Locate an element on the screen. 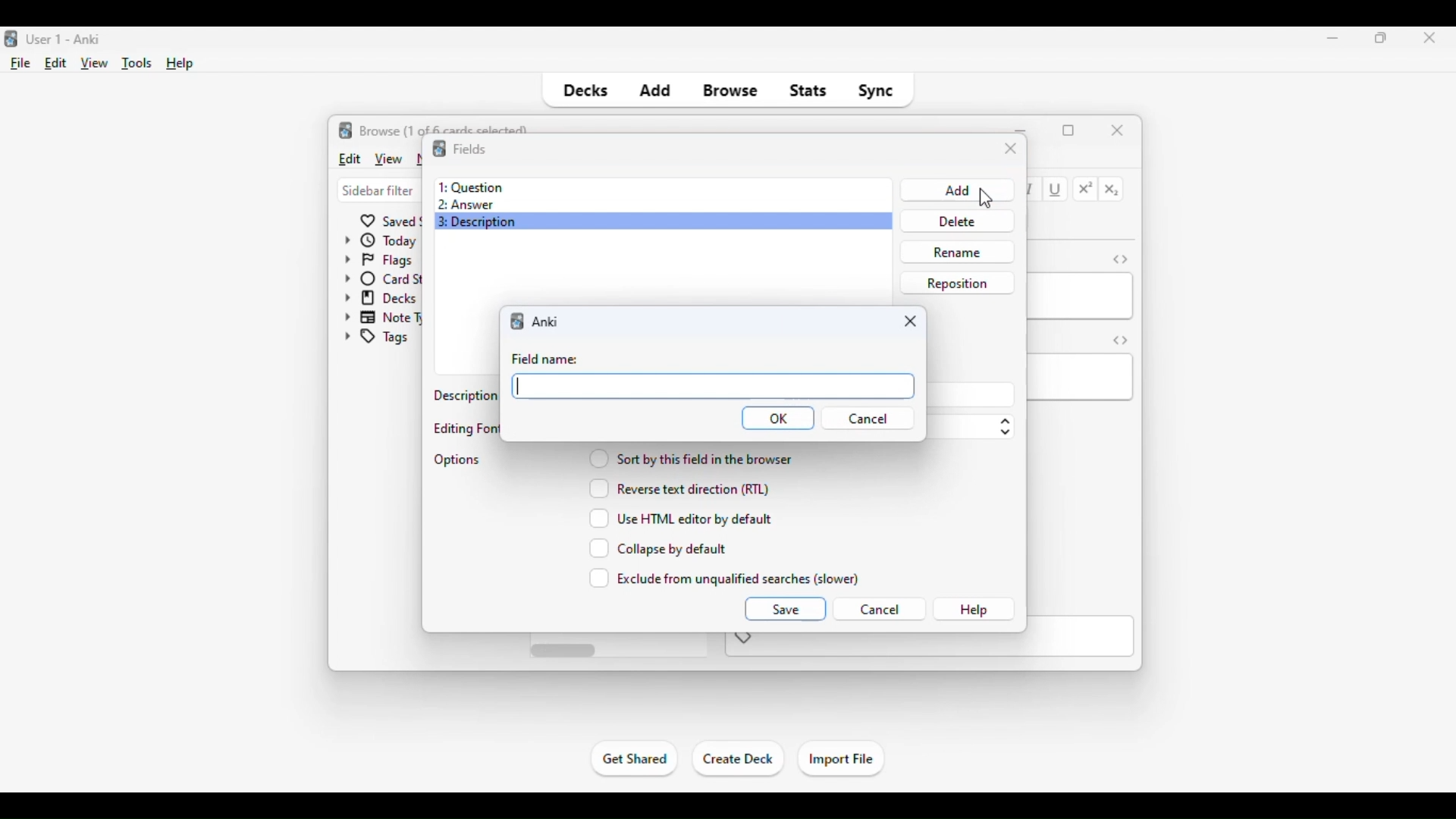 Image resolution: width=1456 pixels, height=819 pixels. logo is located at coordinates (9, 39).